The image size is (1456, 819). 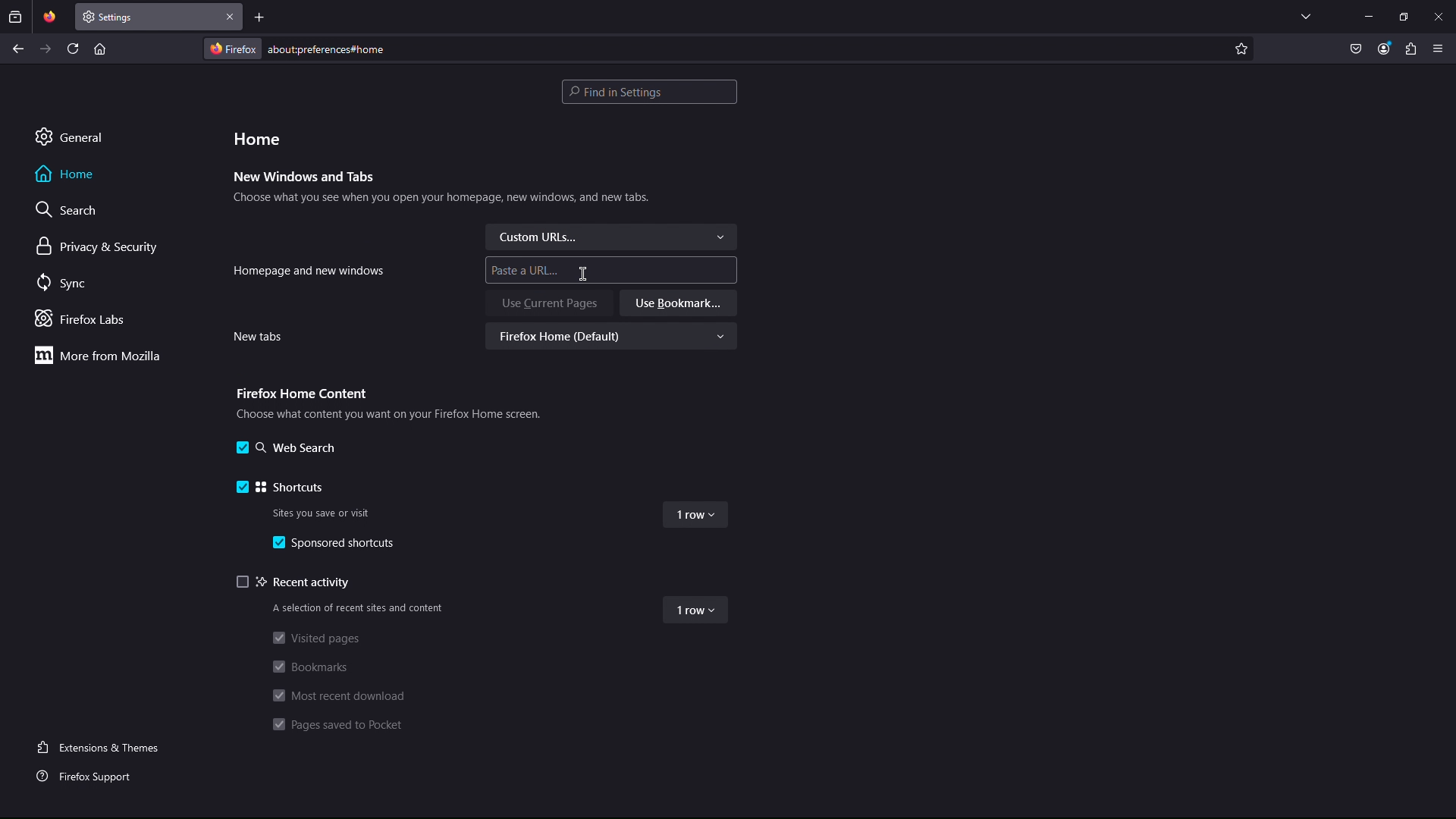 I want to click on Next, so click(x=46, y=49).